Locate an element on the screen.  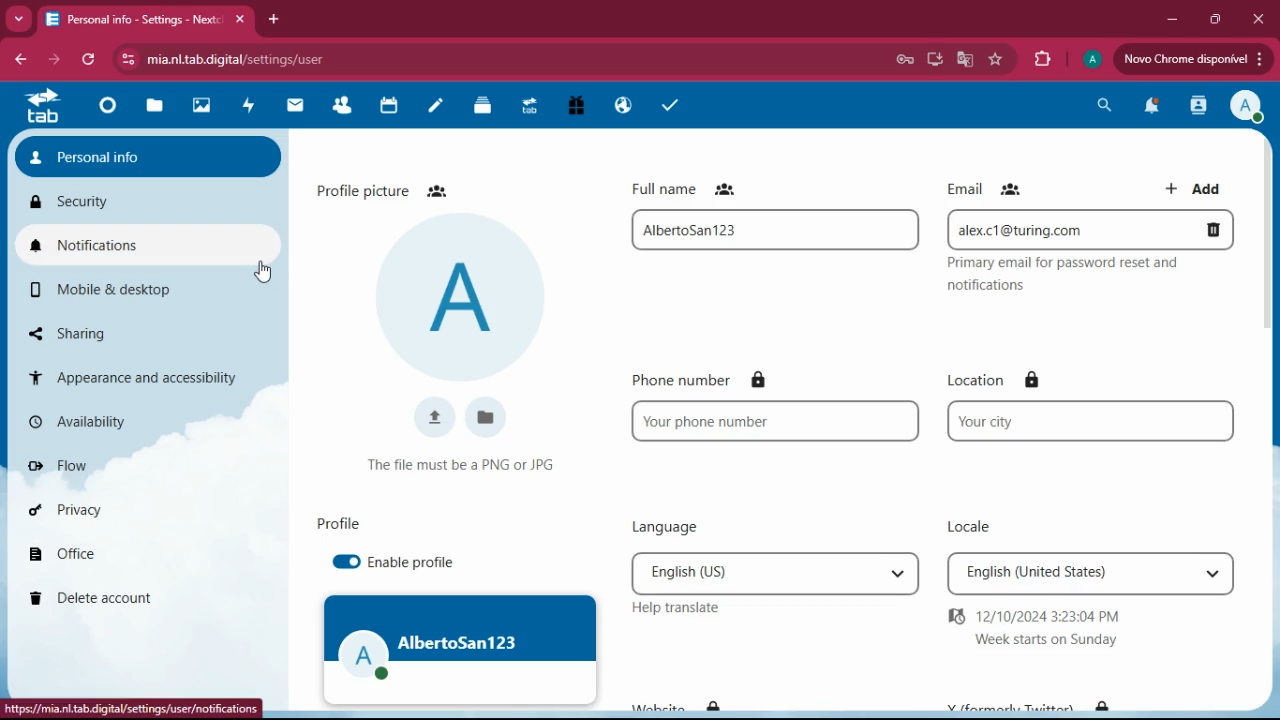
privacy is located at coordinates (125, 511).